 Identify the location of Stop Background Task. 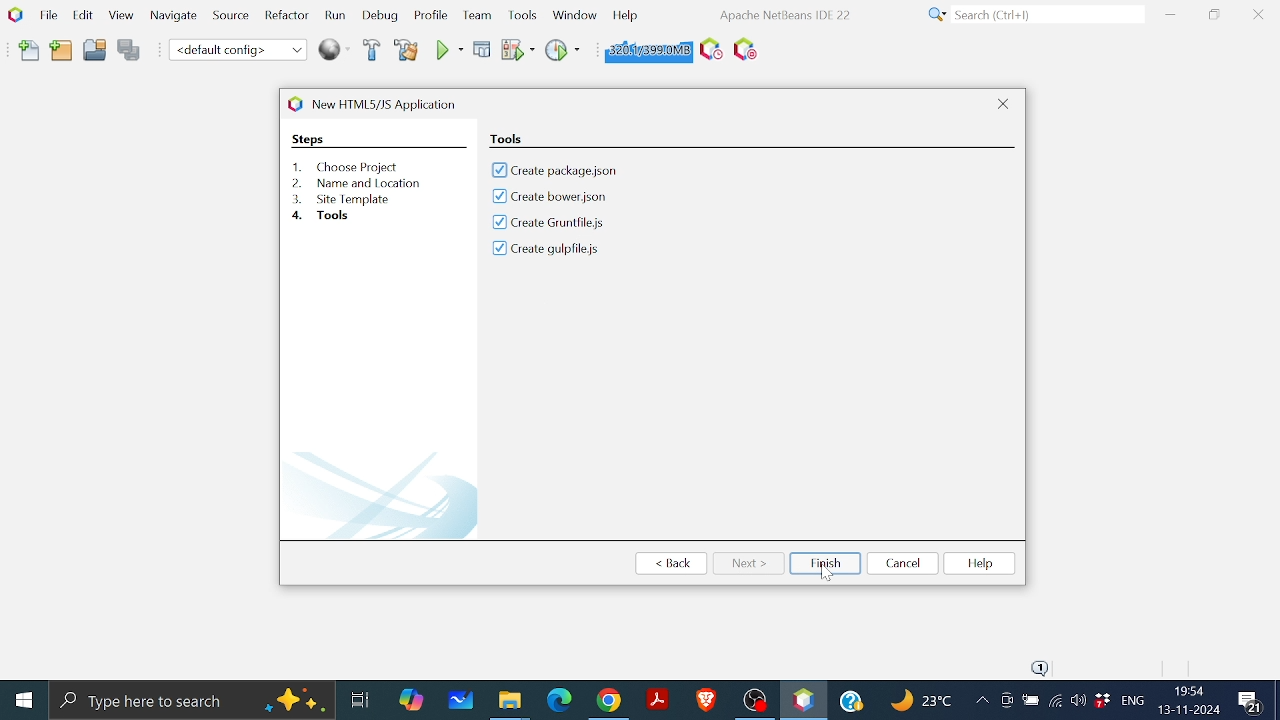
(744, 50).